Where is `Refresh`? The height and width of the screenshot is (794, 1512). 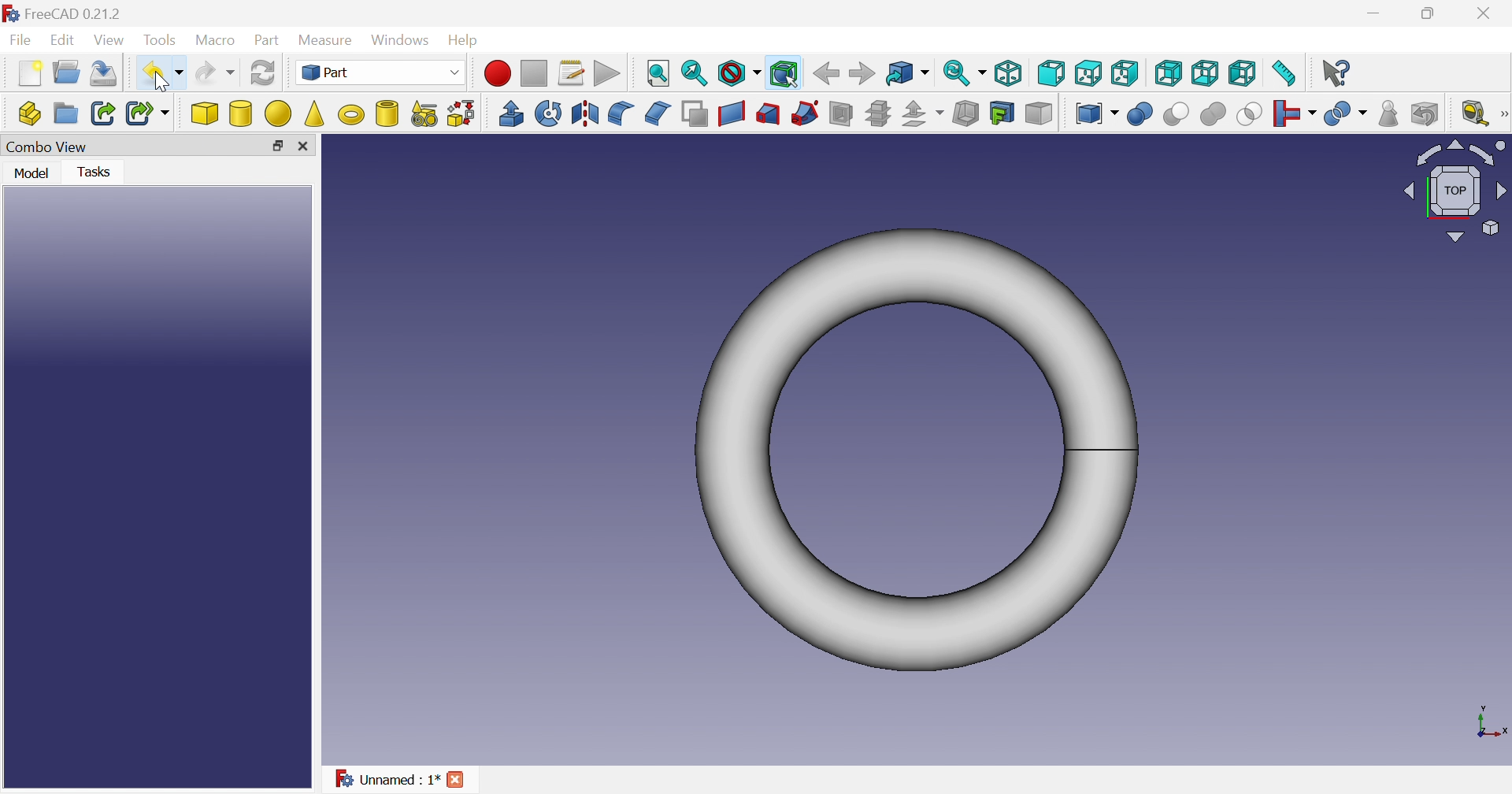 Refresh is located at coordinates (264, 72).